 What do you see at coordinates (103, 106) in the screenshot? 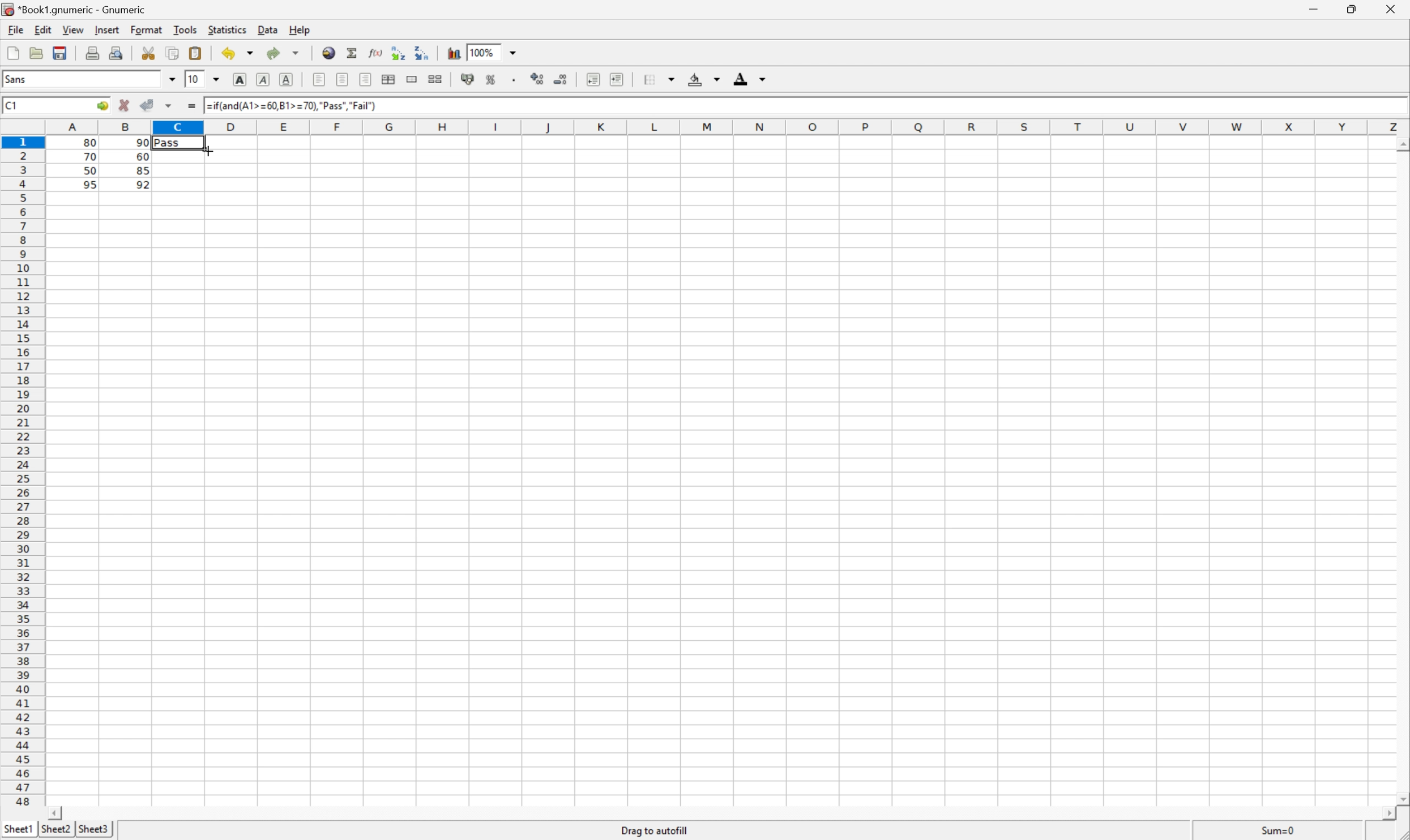
I see `Go to...` at bounding box center [103, 106].